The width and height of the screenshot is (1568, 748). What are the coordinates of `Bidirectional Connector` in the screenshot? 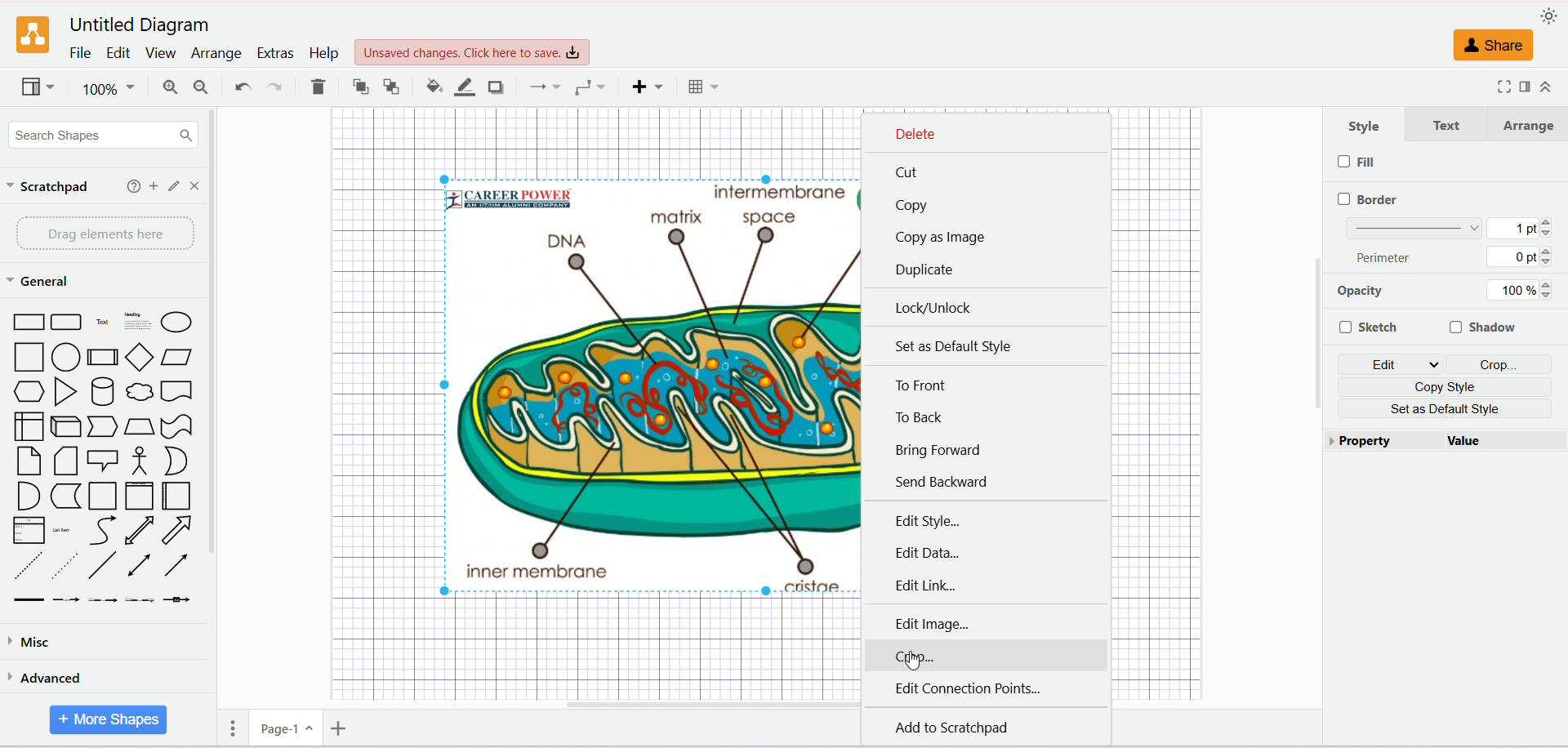 It's located at (143, 567).